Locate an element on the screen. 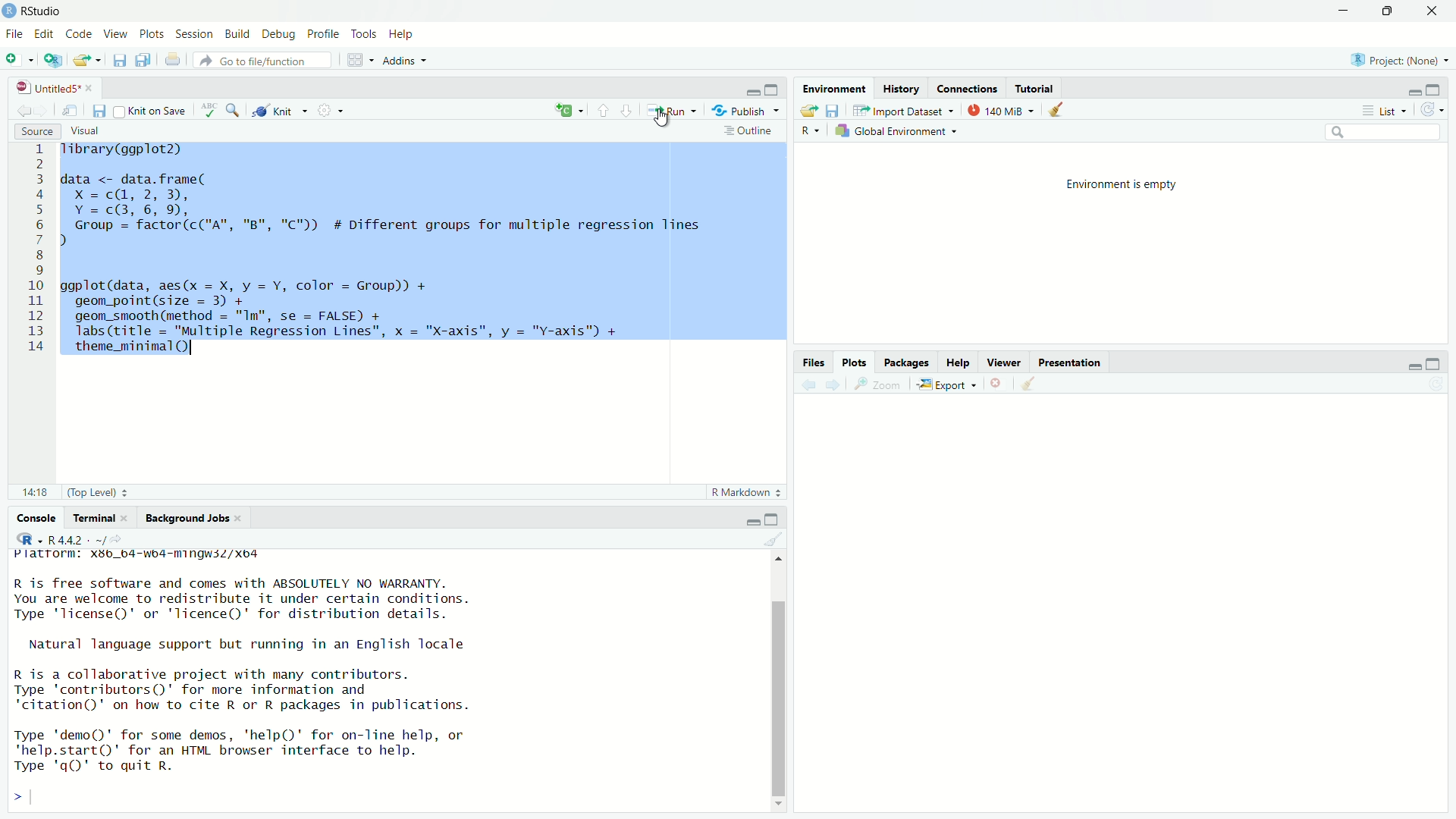 This screenshot has width=1456, height=819. add script is located at coordinates (52, 61).